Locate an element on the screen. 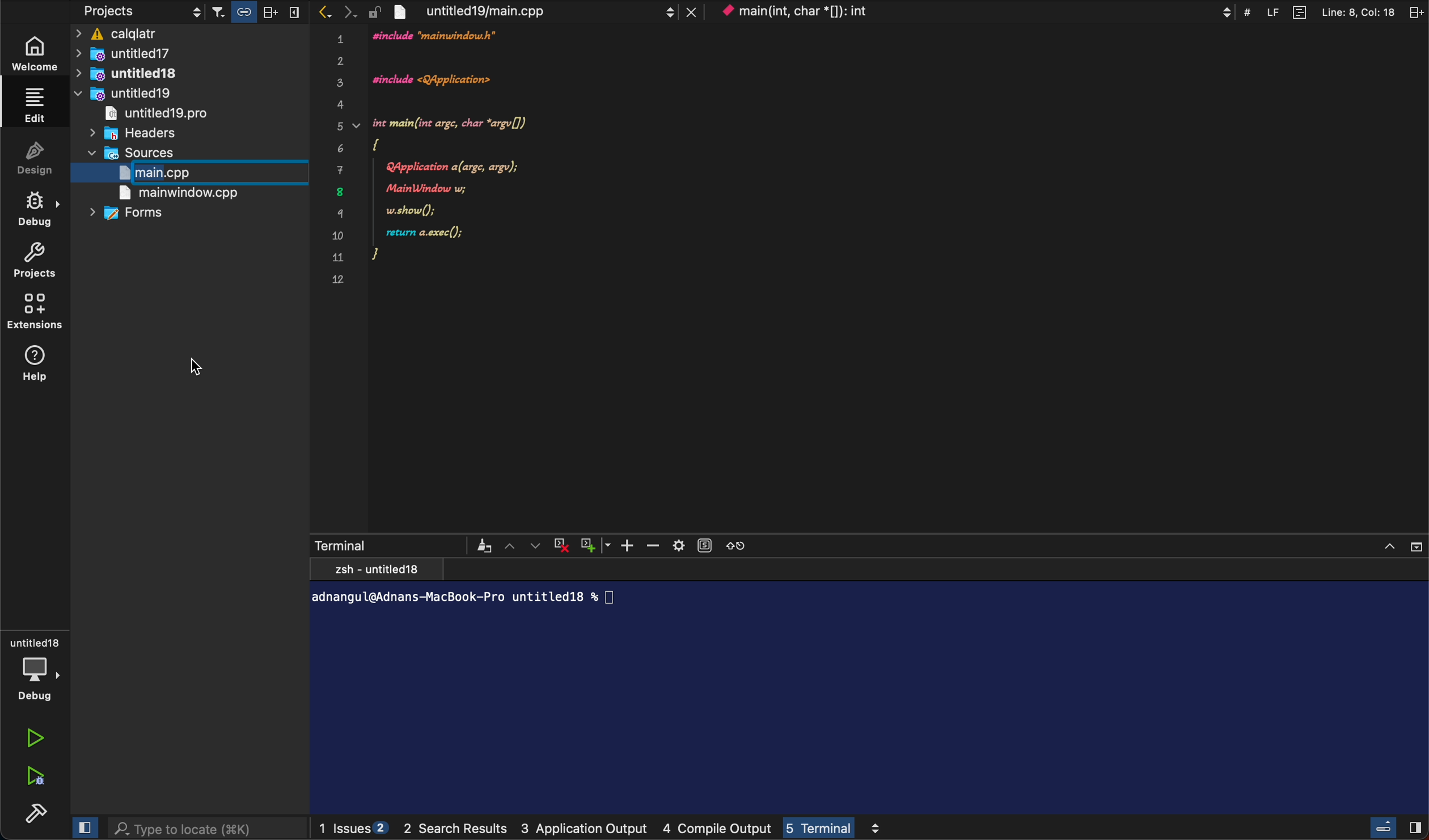  Design is located at coordinates (44, 162).